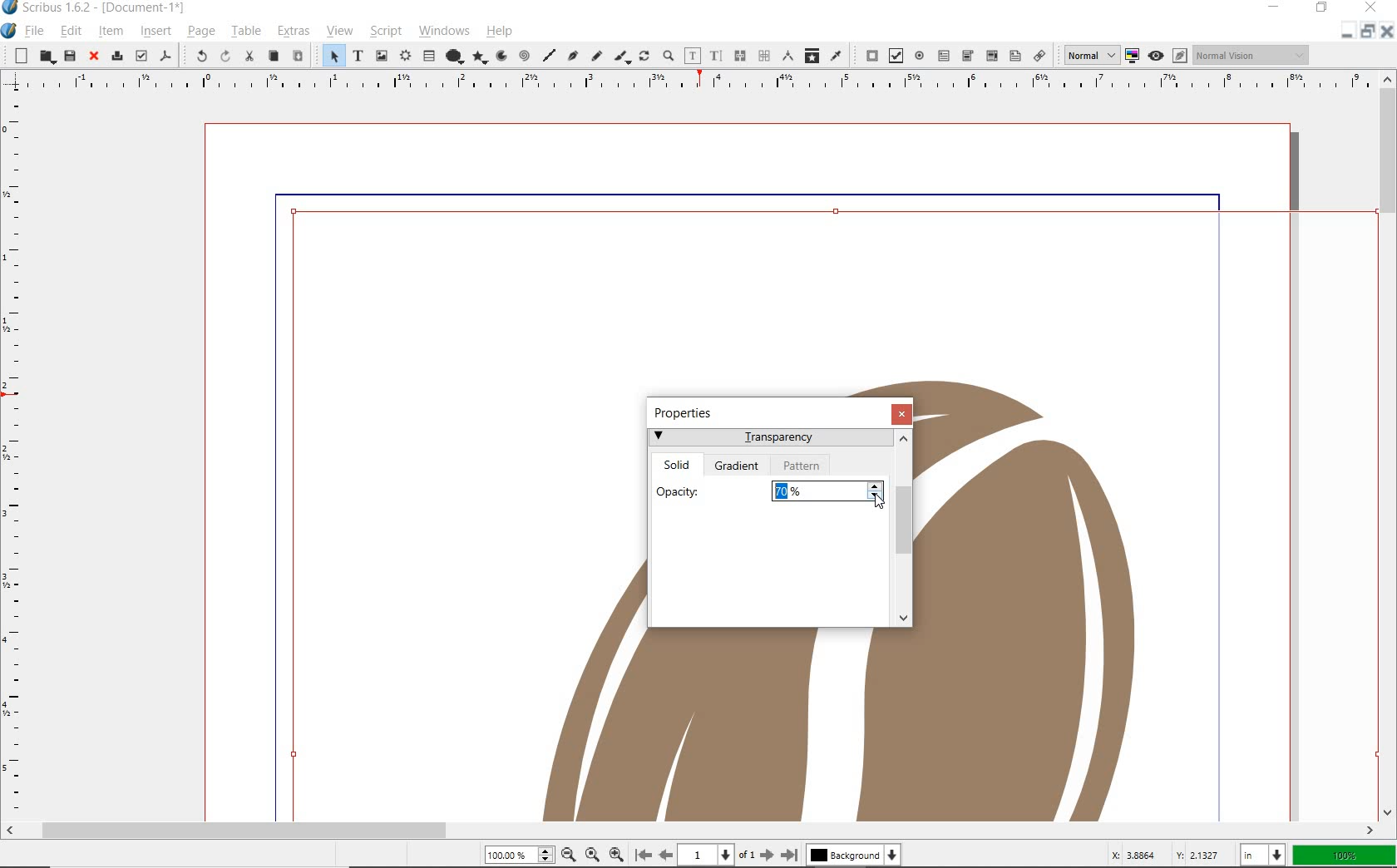 This screenshot has width=1397, height=868. I want to click on edit, so click(72, 32).